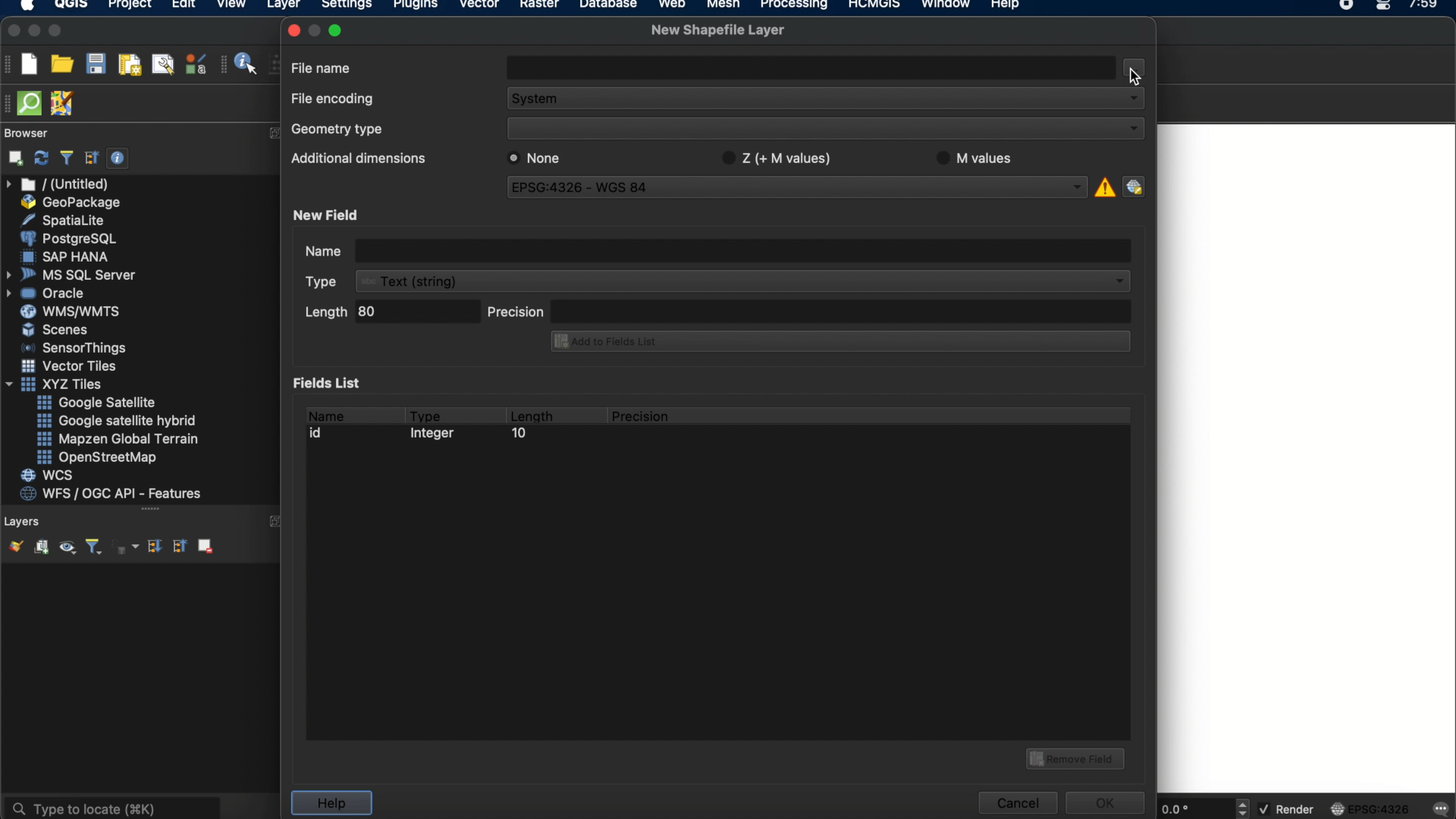 The width and height of the screenshot is (1456, 819). I want to click on open the layer, so click(12, 546).